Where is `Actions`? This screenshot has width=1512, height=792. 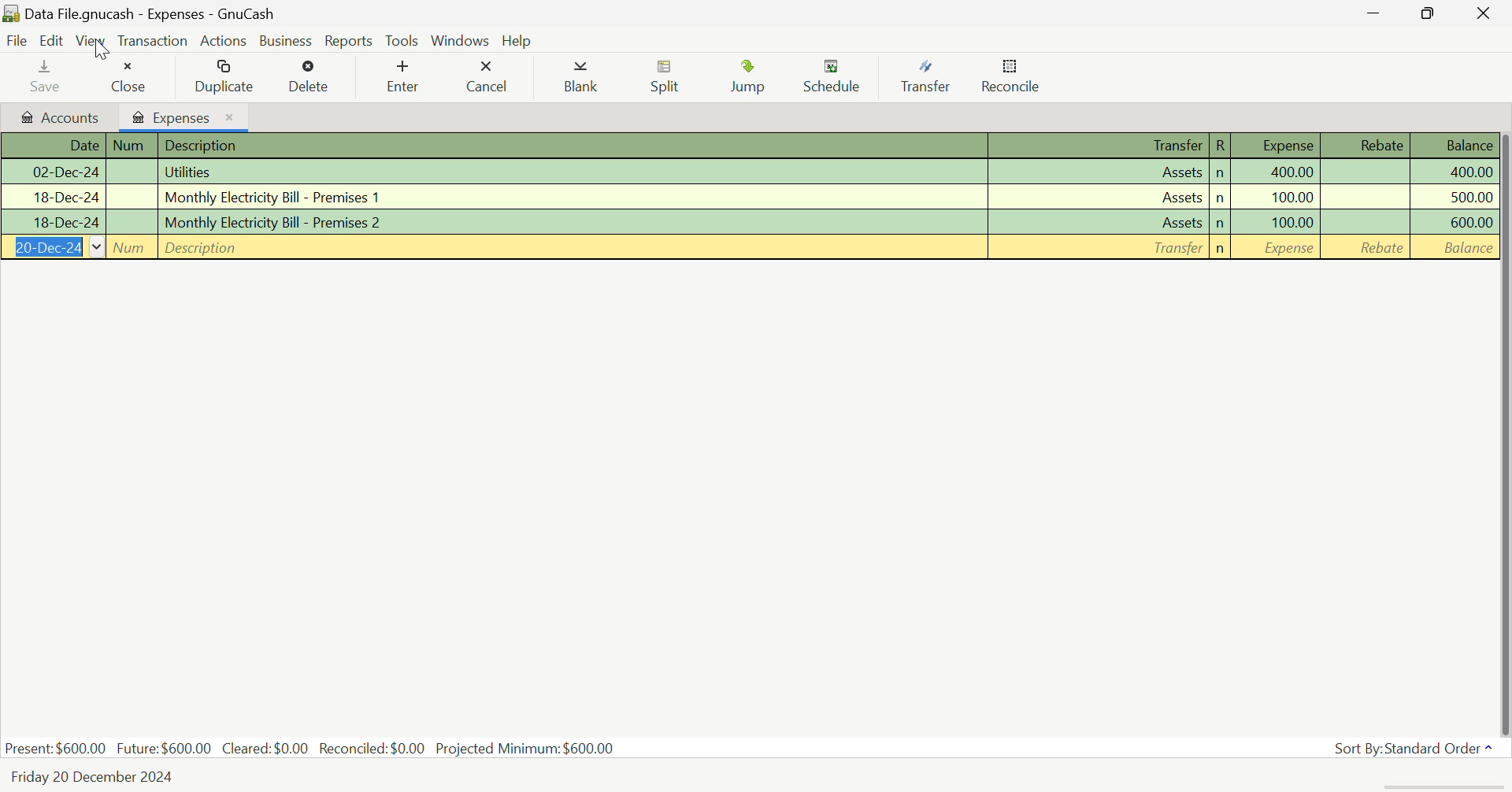 Actions is located at coordinates (225, 40).